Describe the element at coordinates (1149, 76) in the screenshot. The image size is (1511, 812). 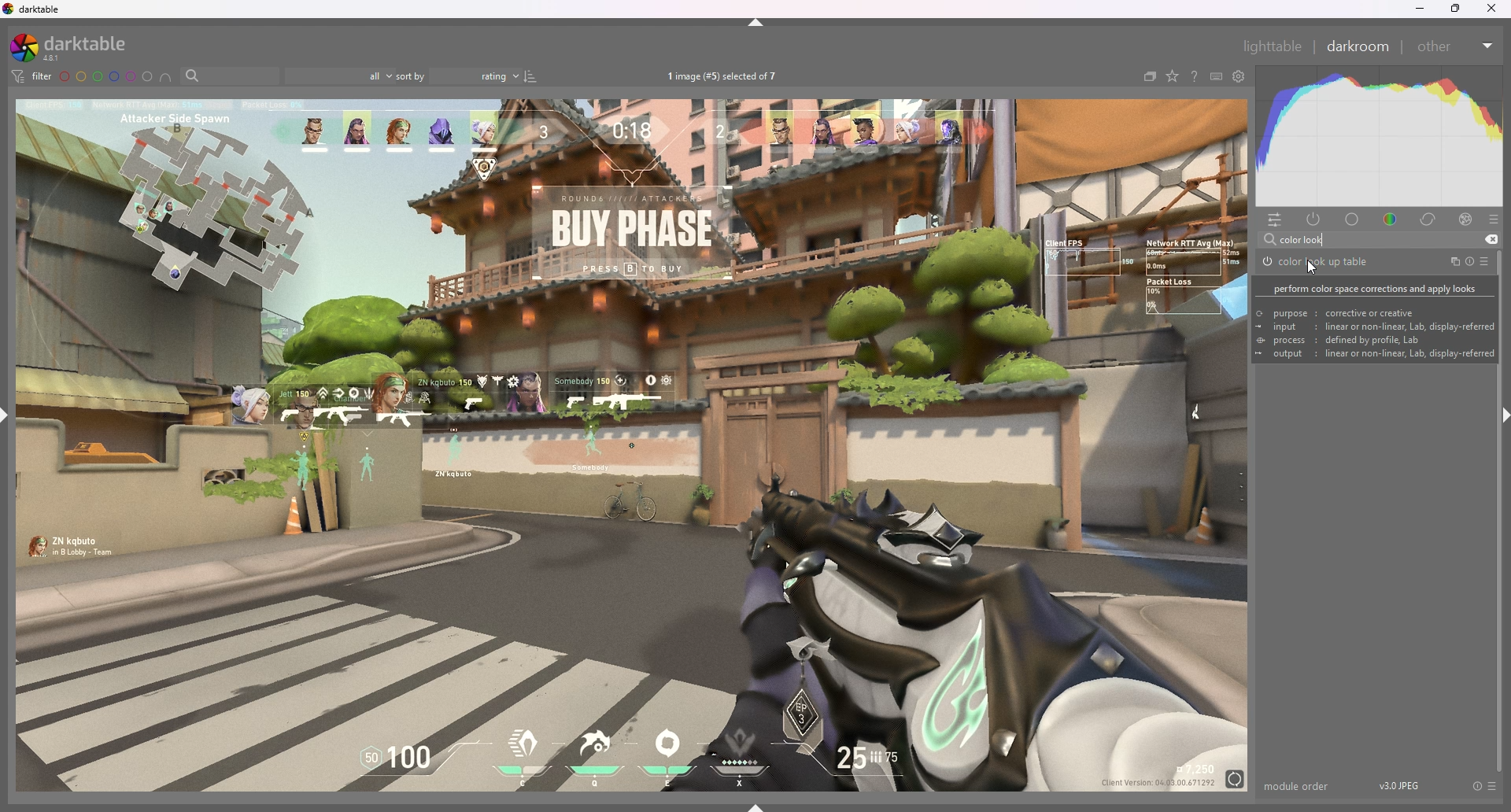
I see `collapse grouped images` at that location.